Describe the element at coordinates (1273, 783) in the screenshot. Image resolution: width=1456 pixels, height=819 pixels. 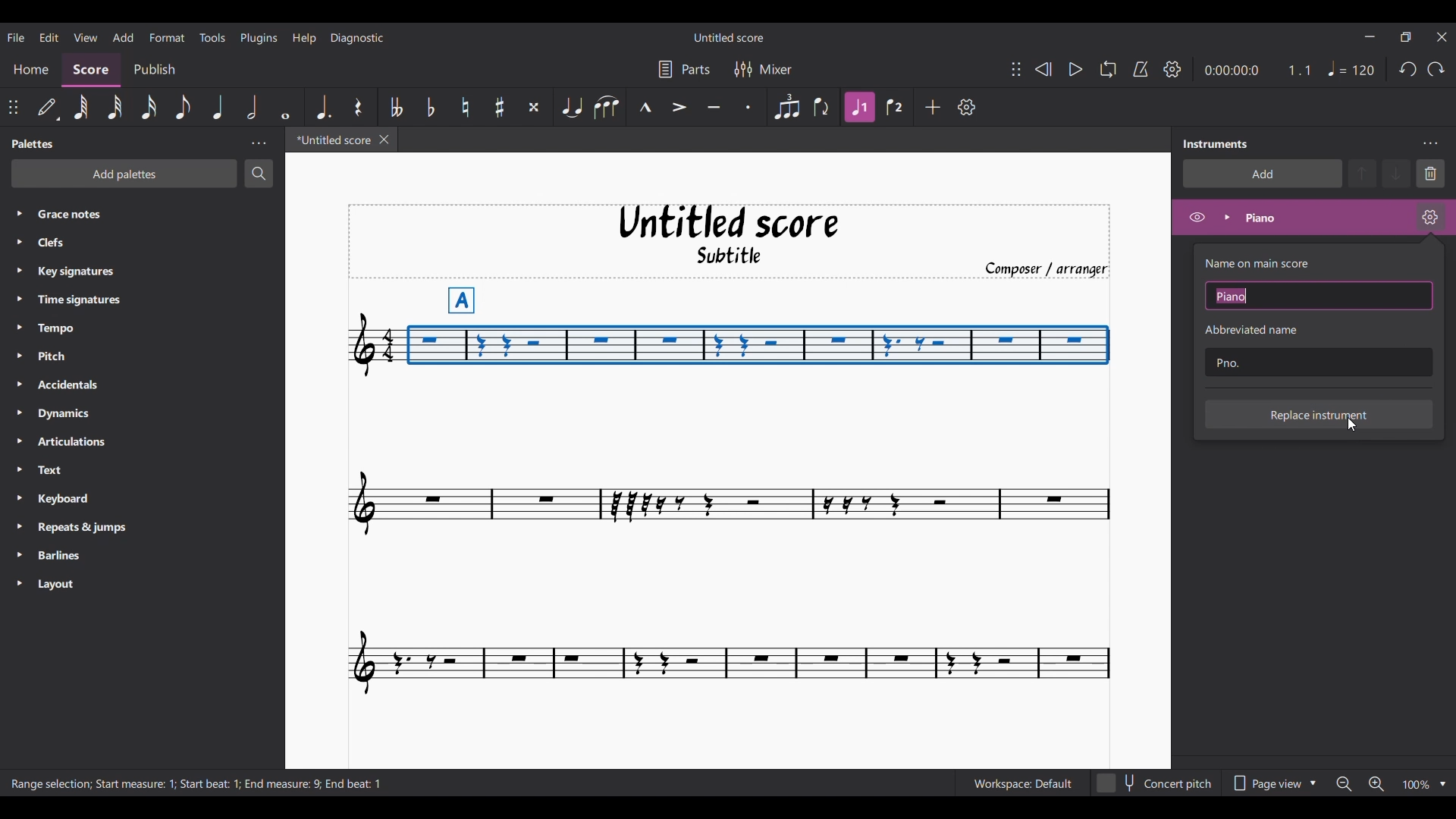
I see `Page view options` at that location.